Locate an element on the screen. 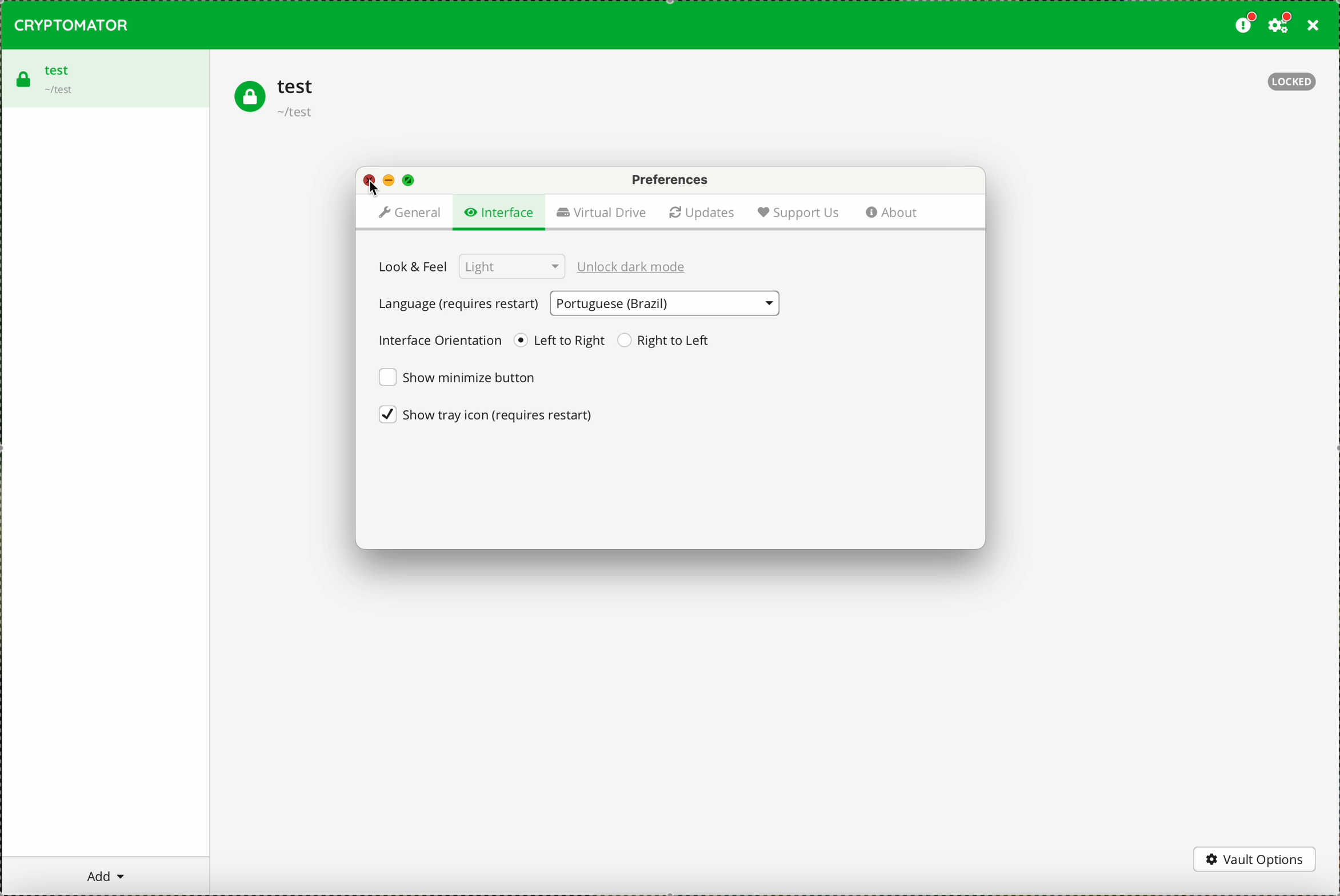 This screenshot has height=896, width=1340. CRYPTOMATOR is located at coordinates (71, 25).